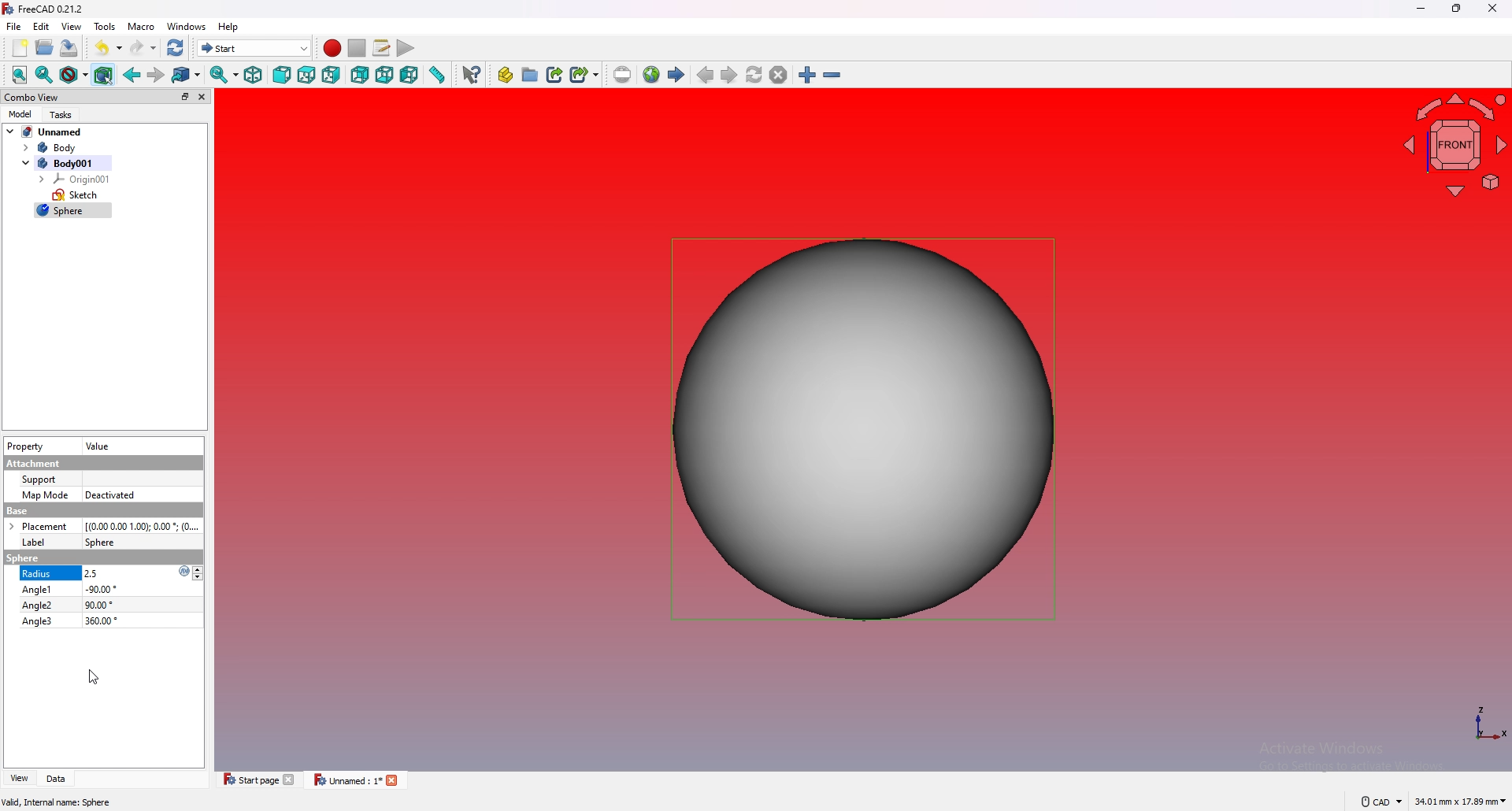  I want to click on set url, so click(622, 75).